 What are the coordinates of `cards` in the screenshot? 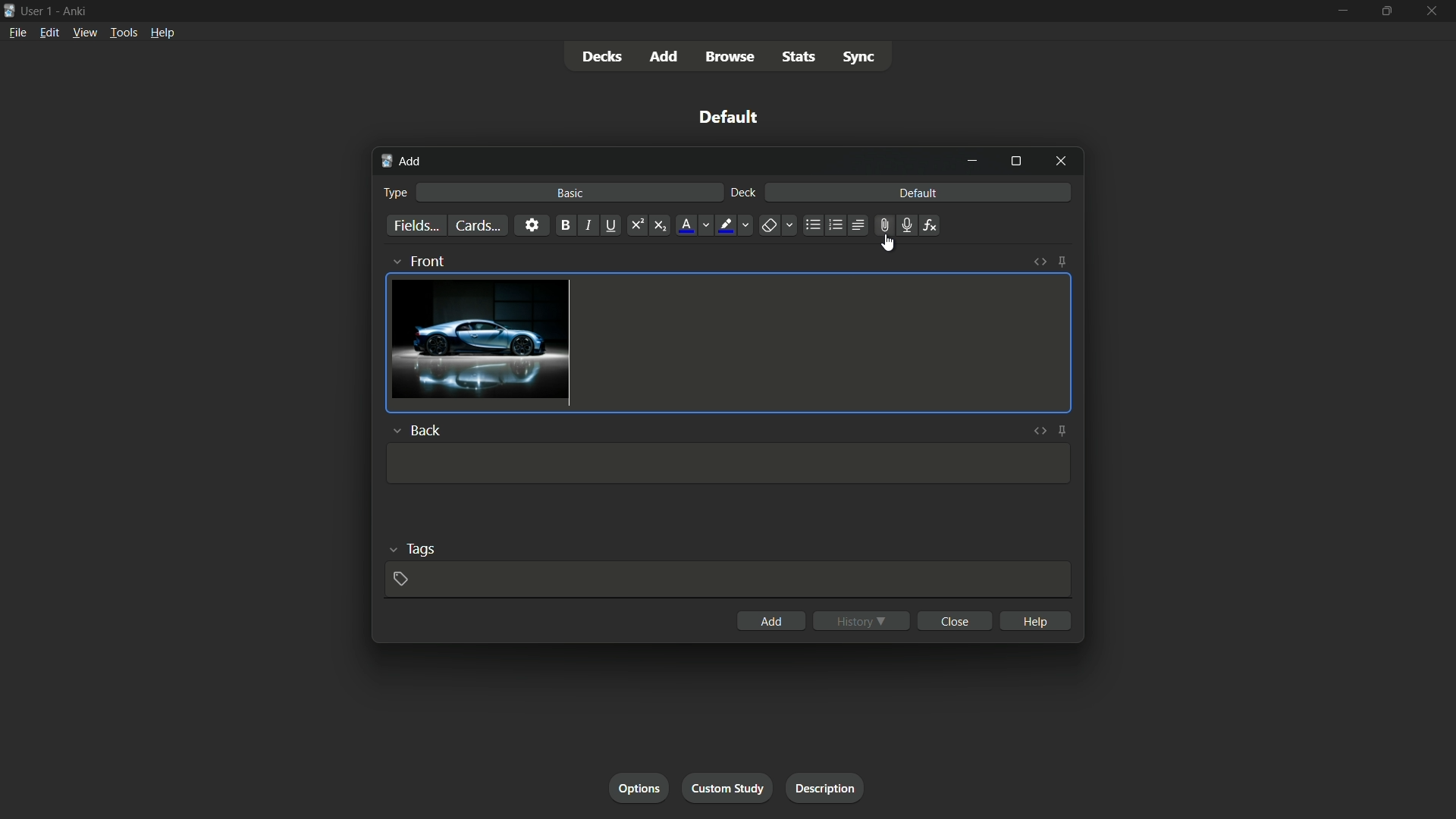 It's located at (477, 225).